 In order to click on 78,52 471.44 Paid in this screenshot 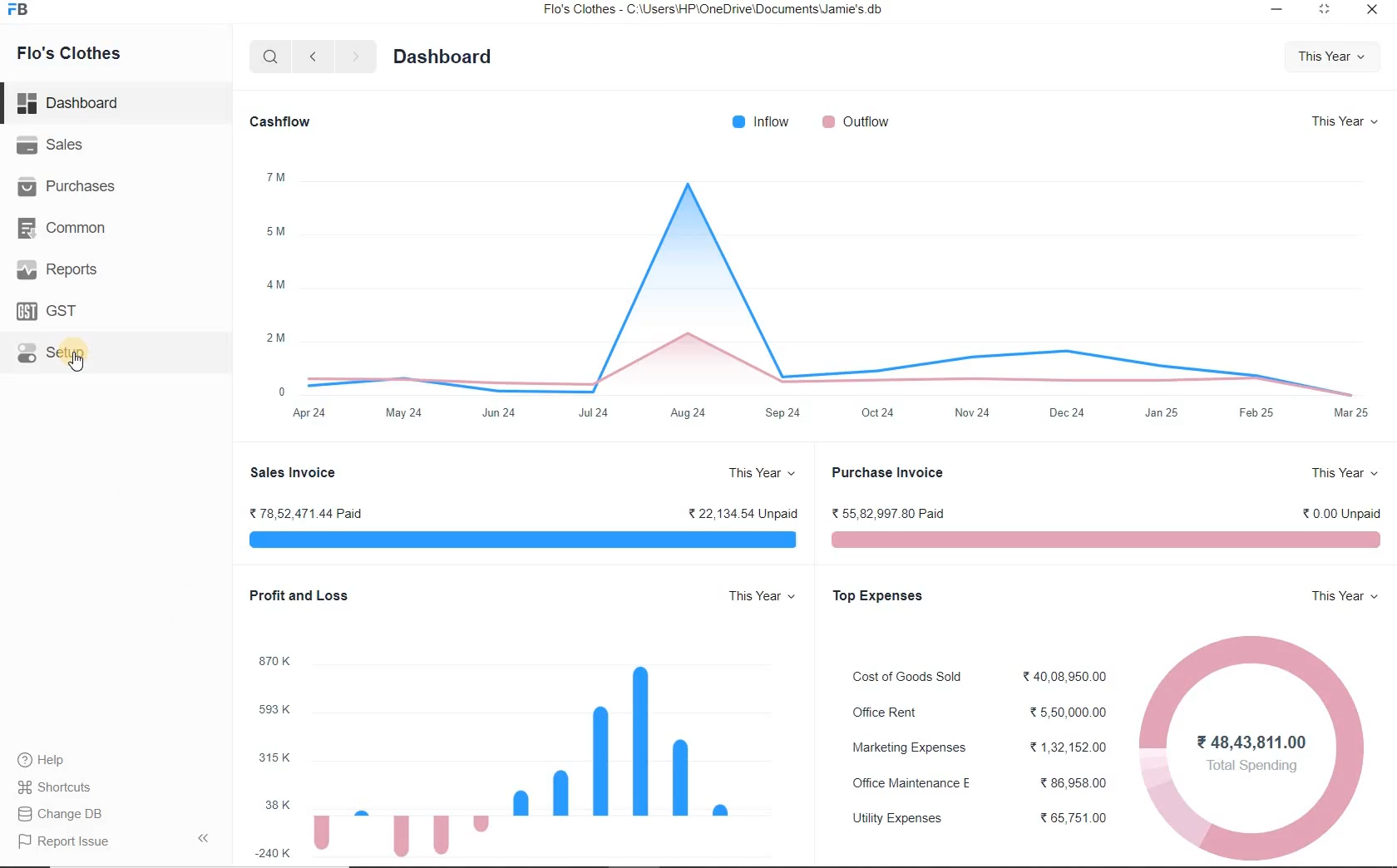, I will do `click(307, 515)`.